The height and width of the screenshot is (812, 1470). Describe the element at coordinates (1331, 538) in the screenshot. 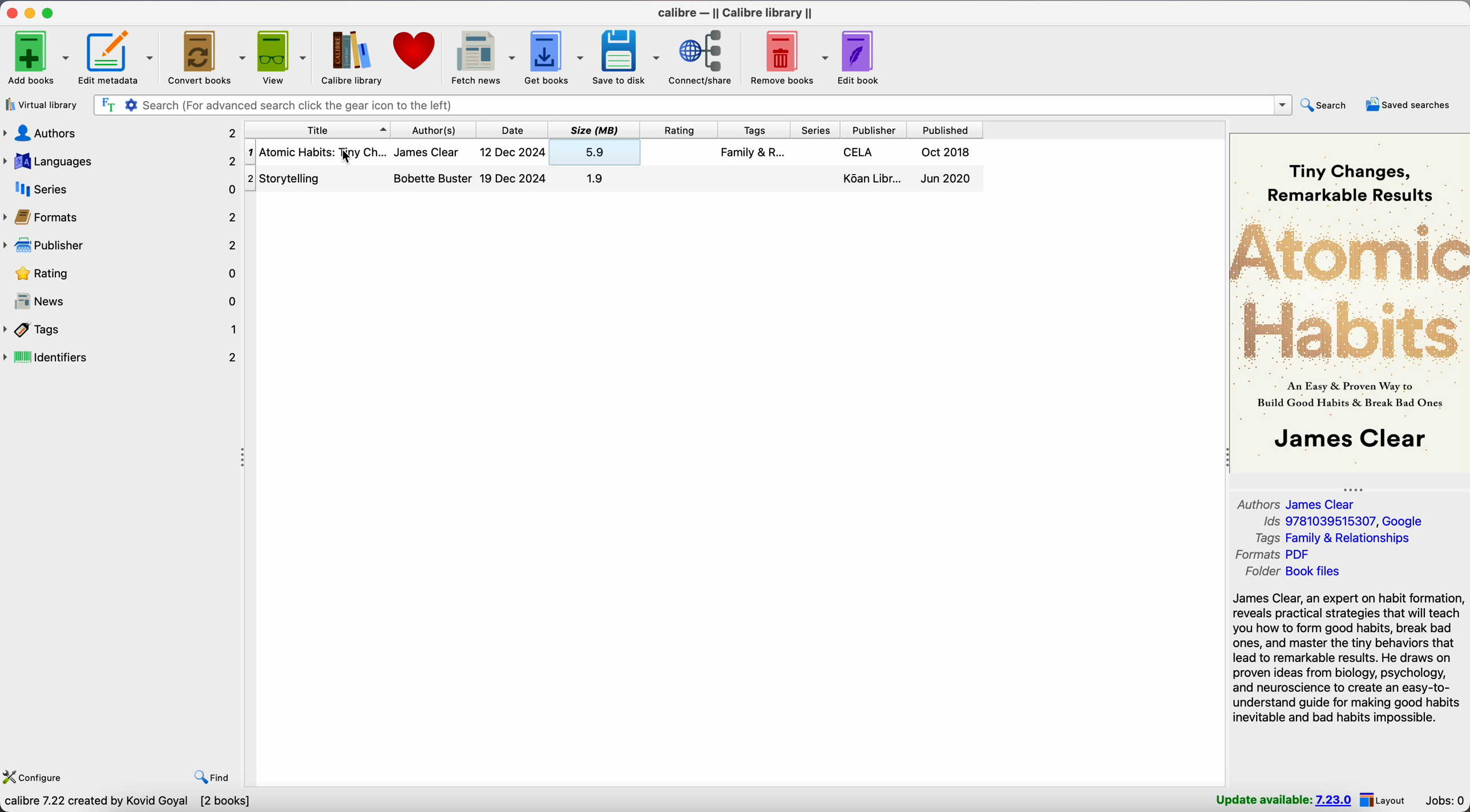

I see `tags Family & Relationships` at that location.